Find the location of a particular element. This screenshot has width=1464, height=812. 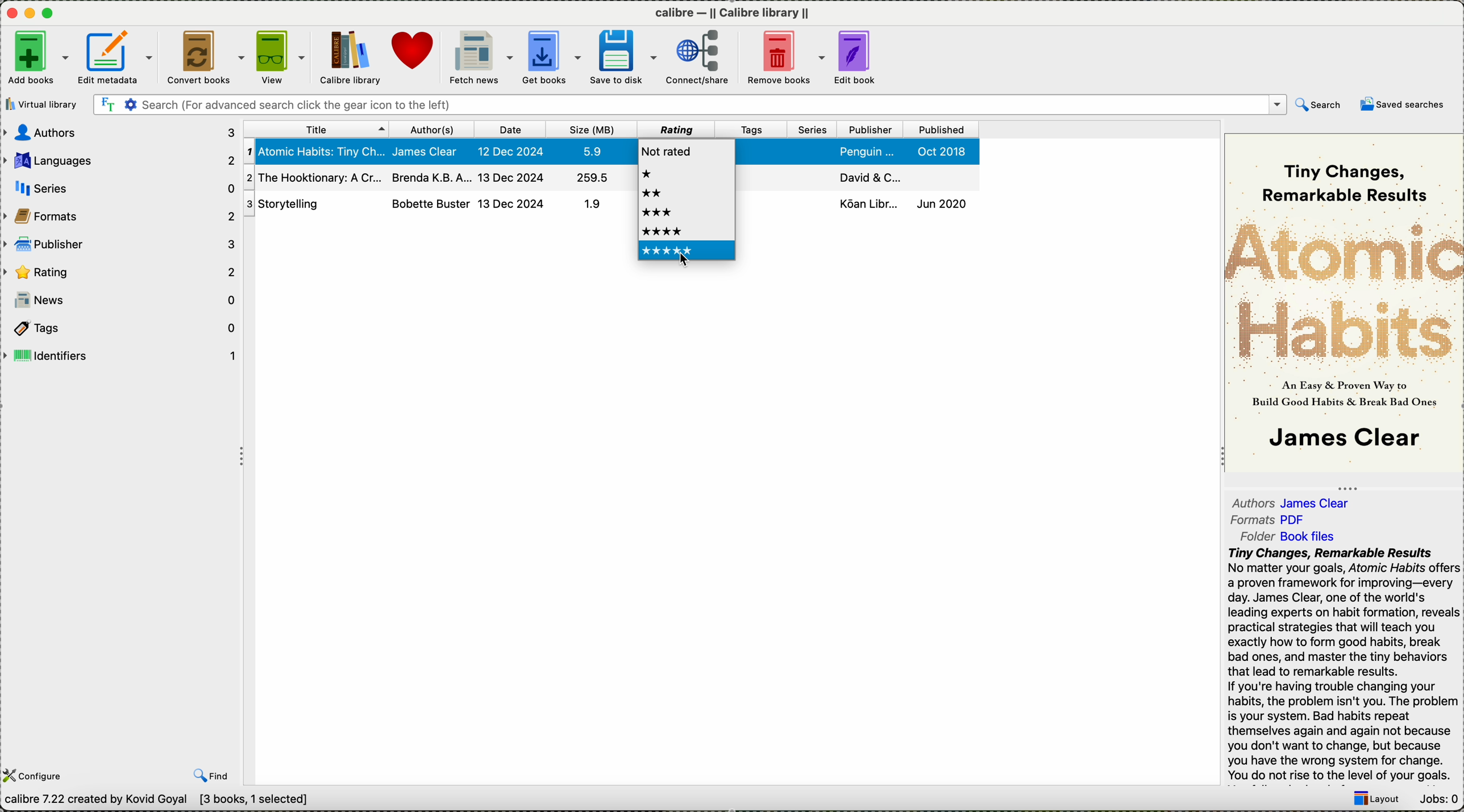

Authors is located at coordinates (1253, 502).